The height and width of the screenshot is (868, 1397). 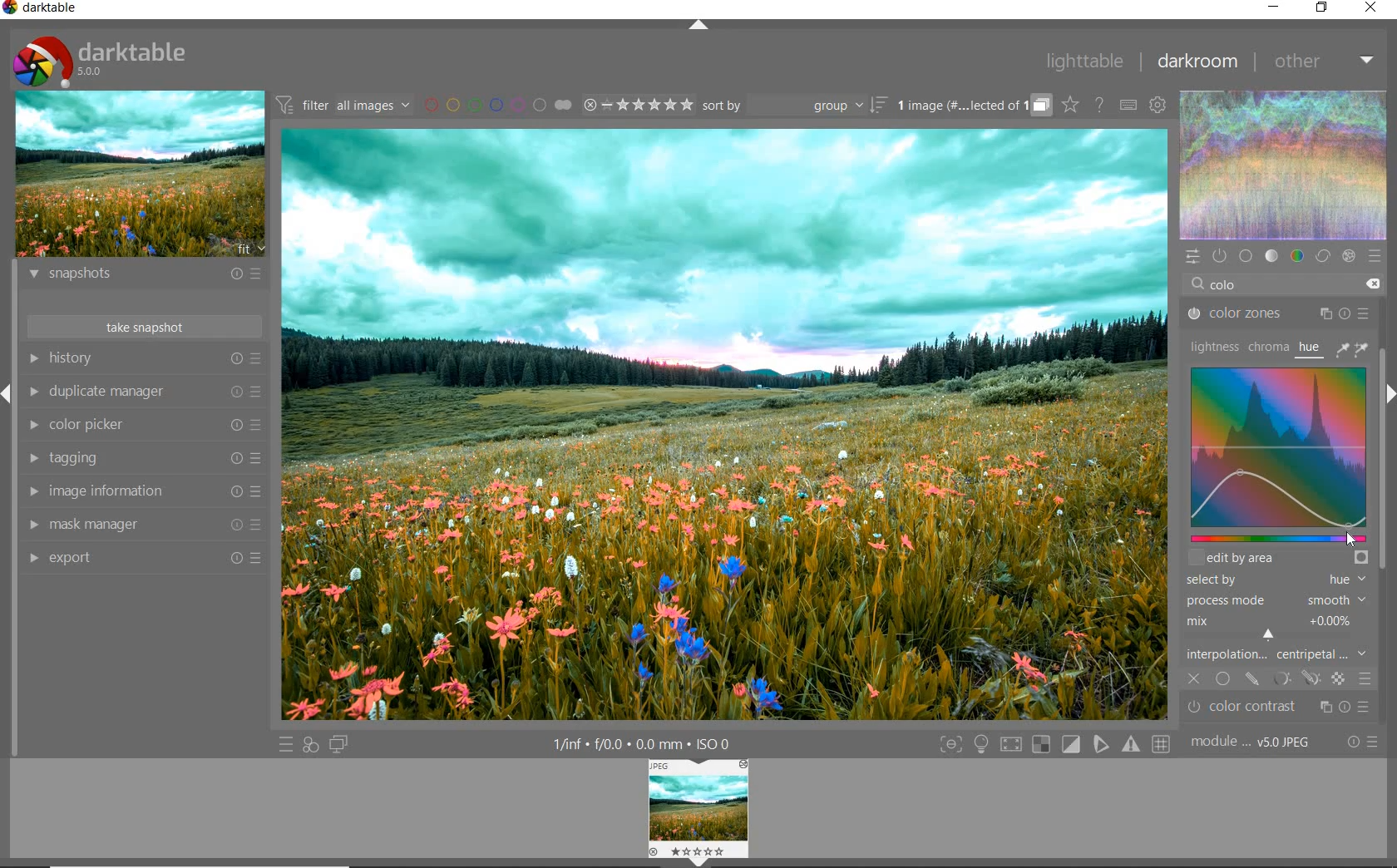 I want to click on Color contrast, so click(x=1287, y=708).